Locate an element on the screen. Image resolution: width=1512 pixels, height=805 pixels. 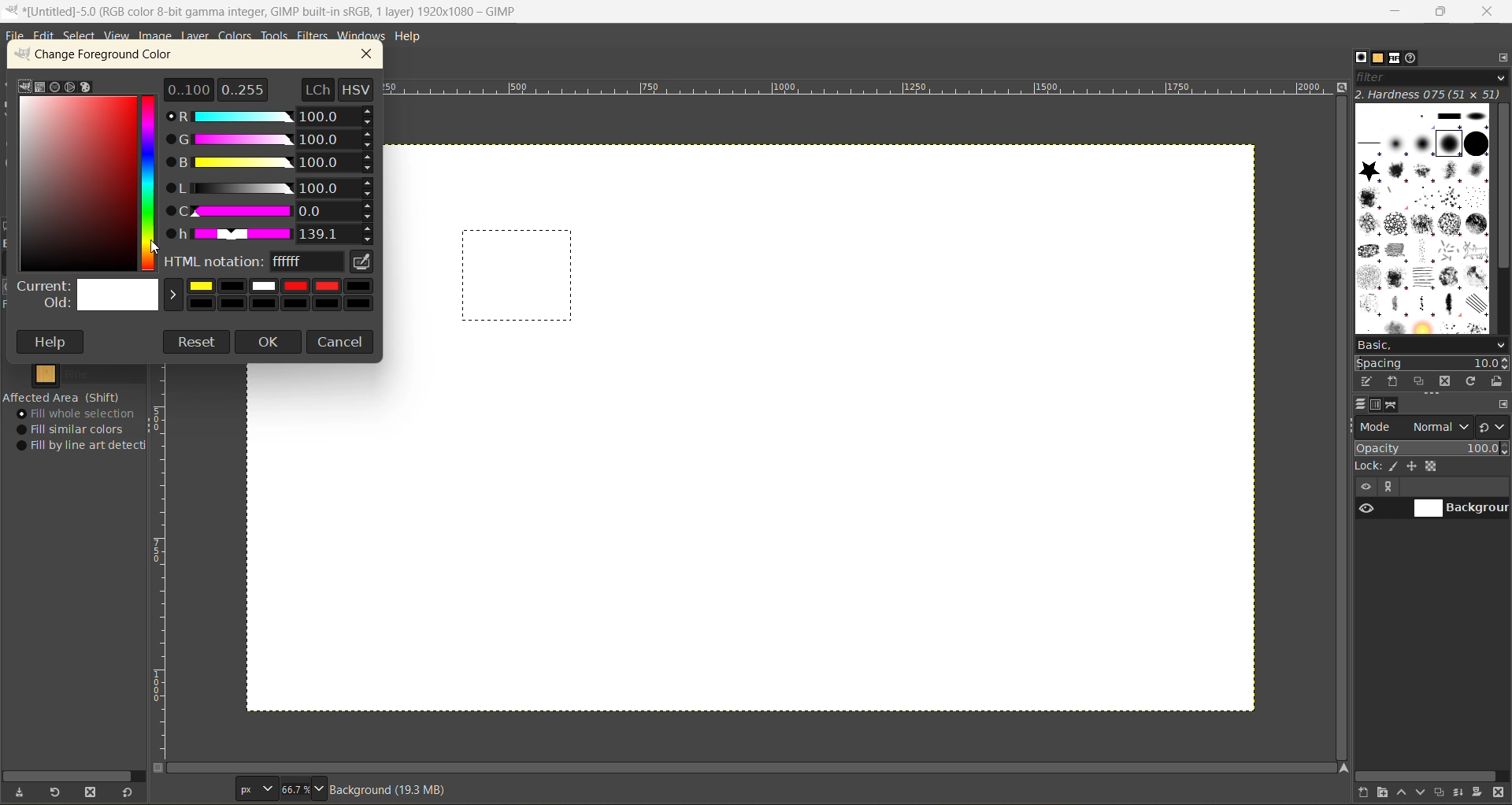
add a mask is located at coordinates (1478, 793).